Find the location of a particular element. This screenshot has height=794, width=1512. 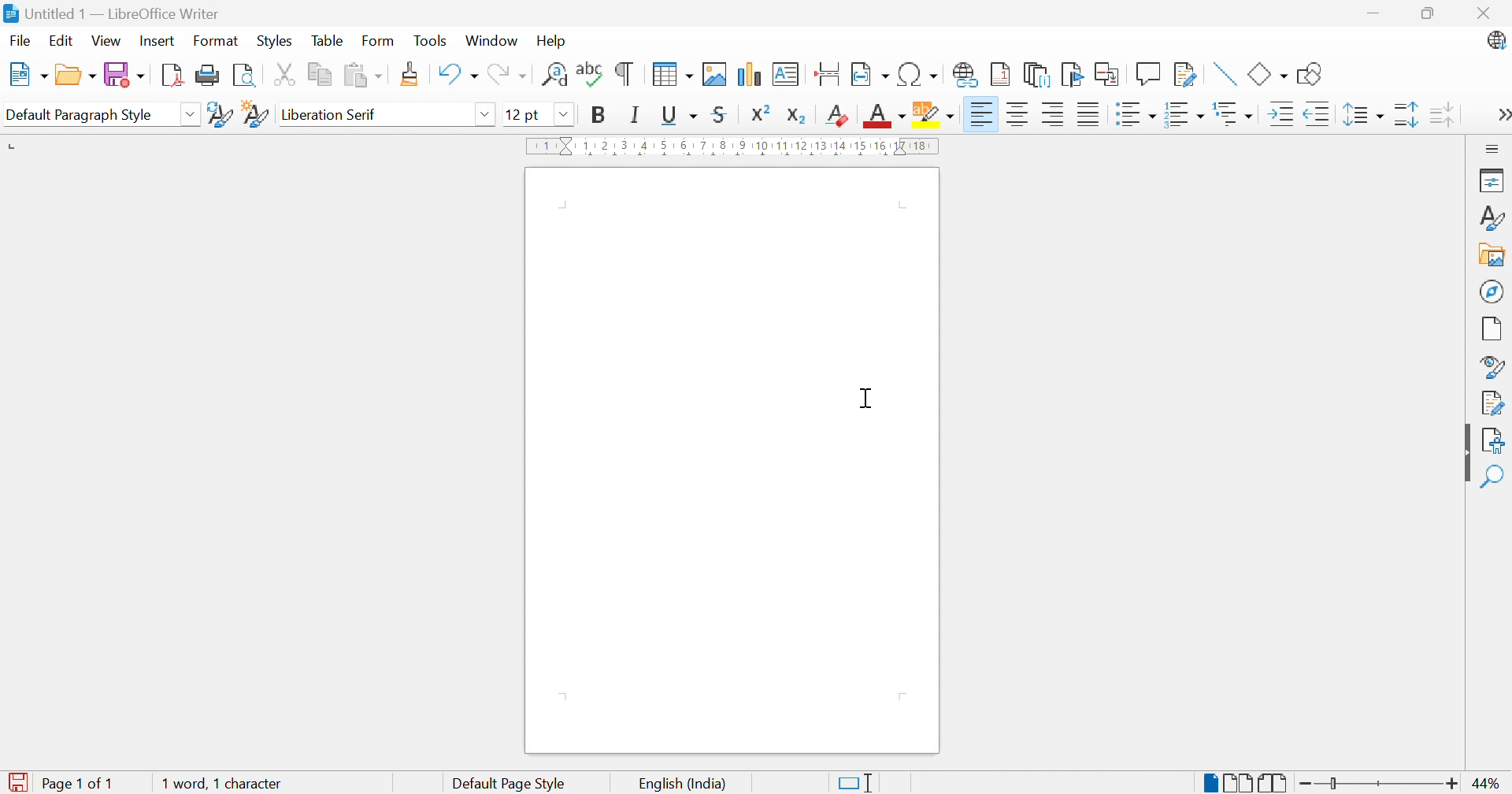

Undo is located at coordinates (458, 76).